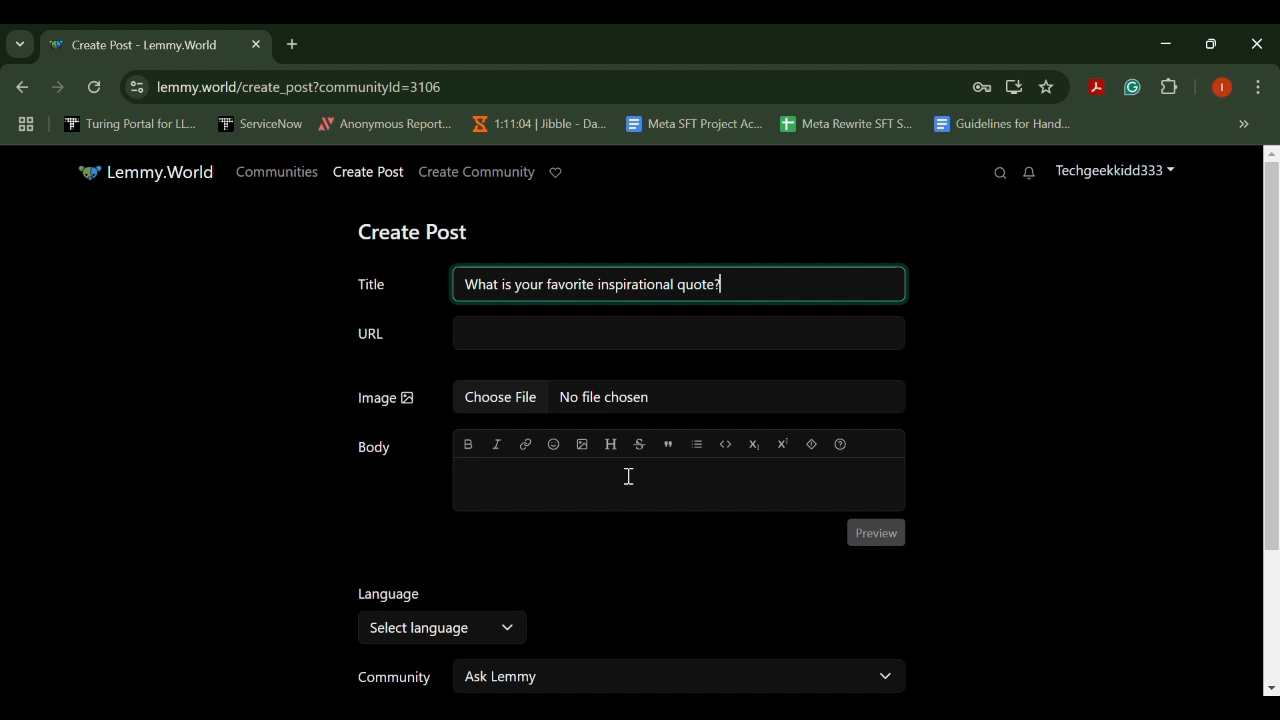 The image size is (1280, 720). I want to click on Previous Webpage, so click(19, 89).